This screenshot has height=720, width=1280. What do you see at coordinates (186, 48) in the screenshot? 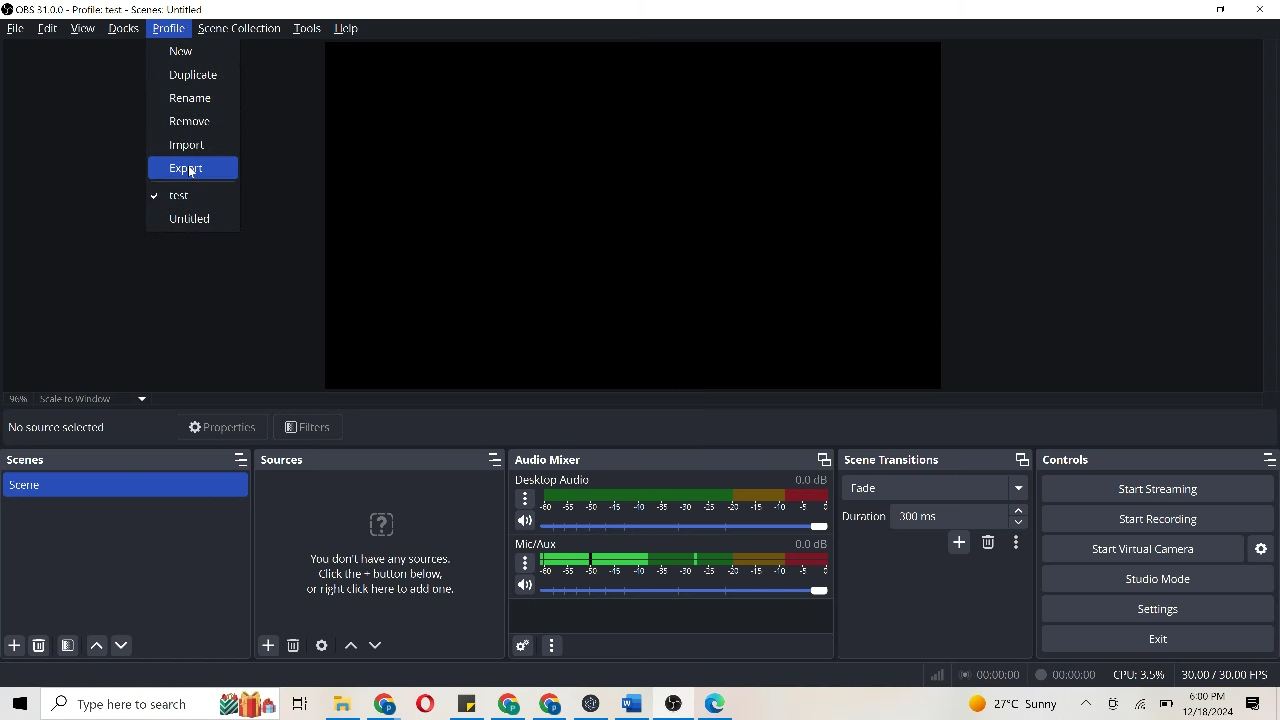
I see `Now` at bounding box center [186, 48].